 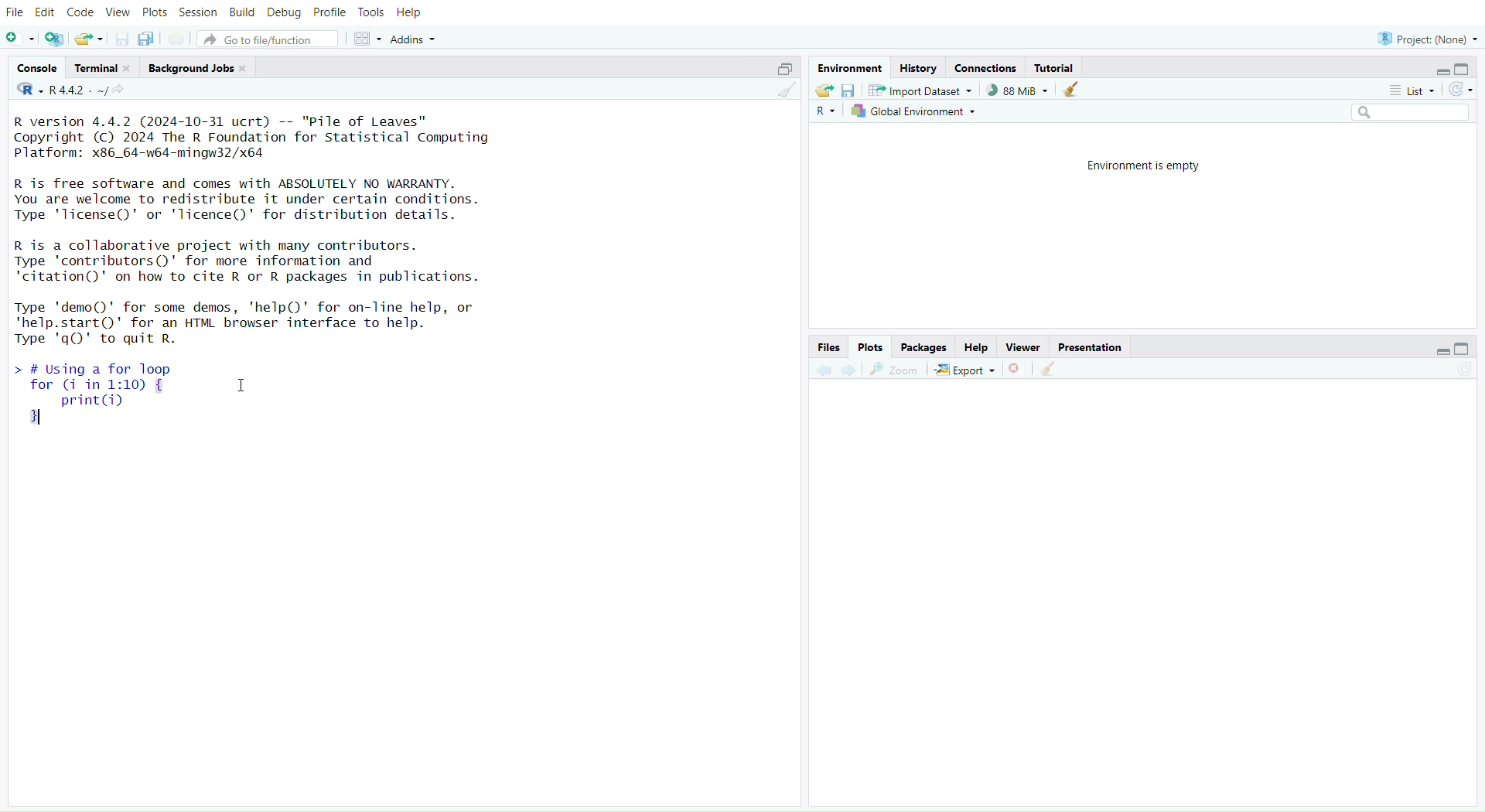 I want to click on remove the current plot, so click(x=1016, y=370).